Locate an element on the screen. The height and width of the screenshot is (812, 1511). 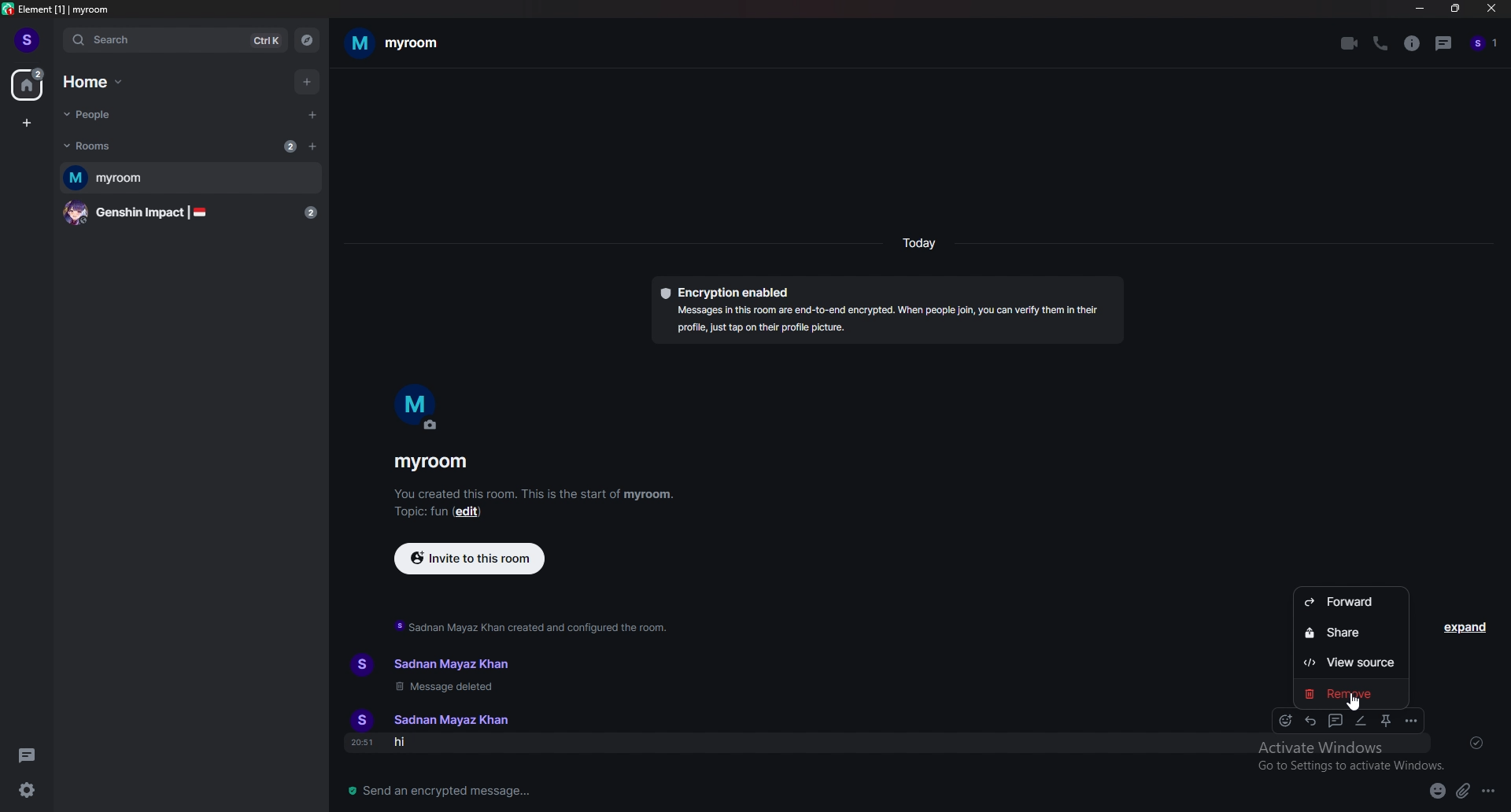
forward is located at coordinates (1347, 603).